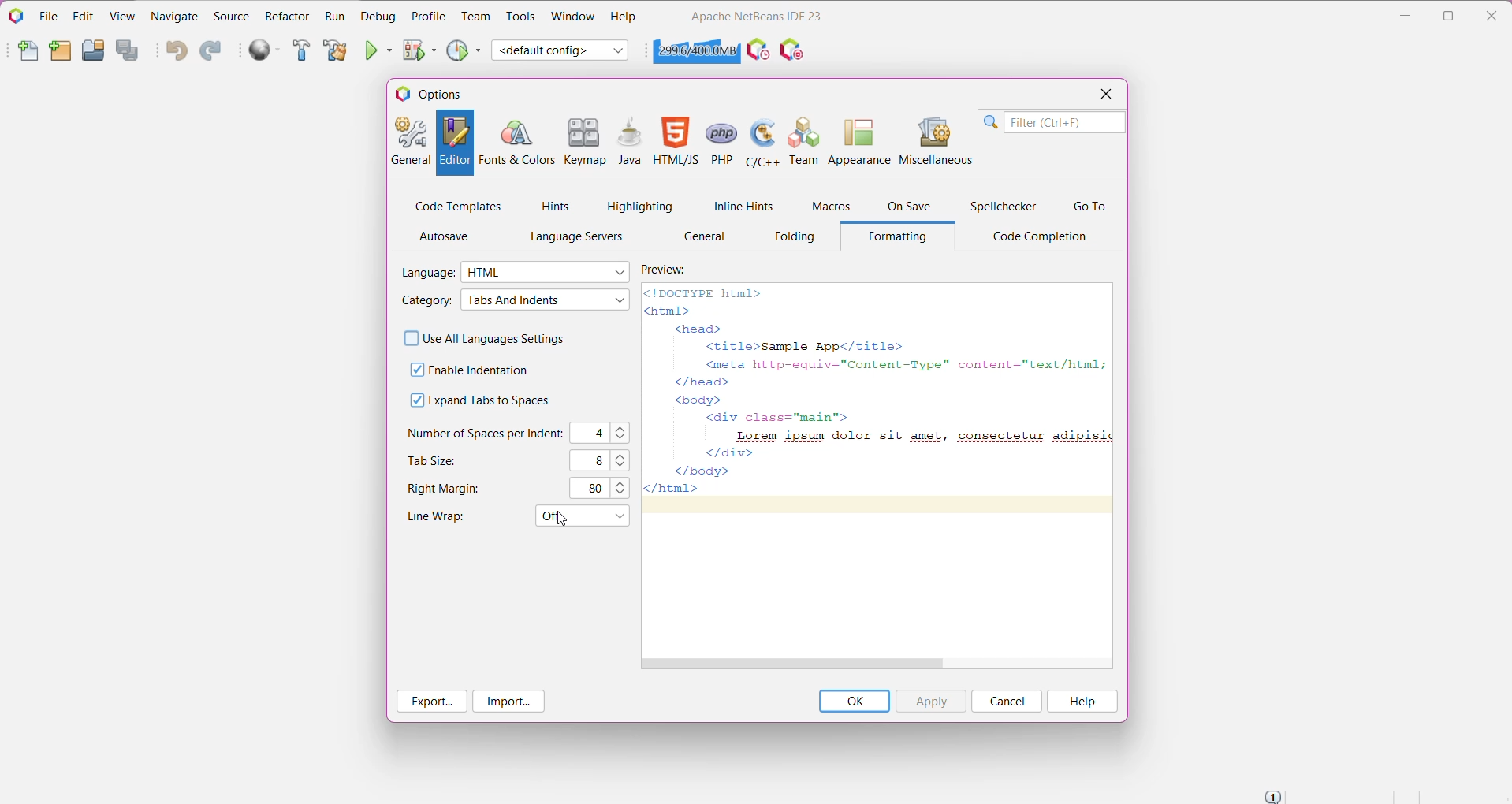 The height and width of the screenshot is (804, 1512). What do you see at coordinates (420, 50) in the screenshot?
I see `Debug Project` at bounding box center [420, 50].